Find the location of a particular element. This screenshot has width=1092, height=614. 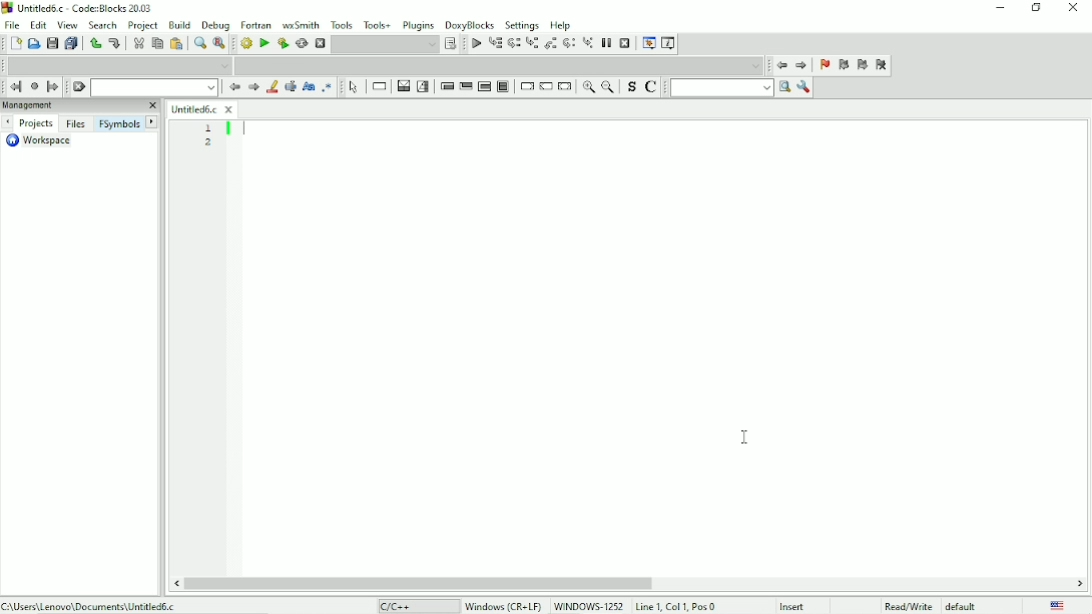

Insert is located at coordinates (798, 606).